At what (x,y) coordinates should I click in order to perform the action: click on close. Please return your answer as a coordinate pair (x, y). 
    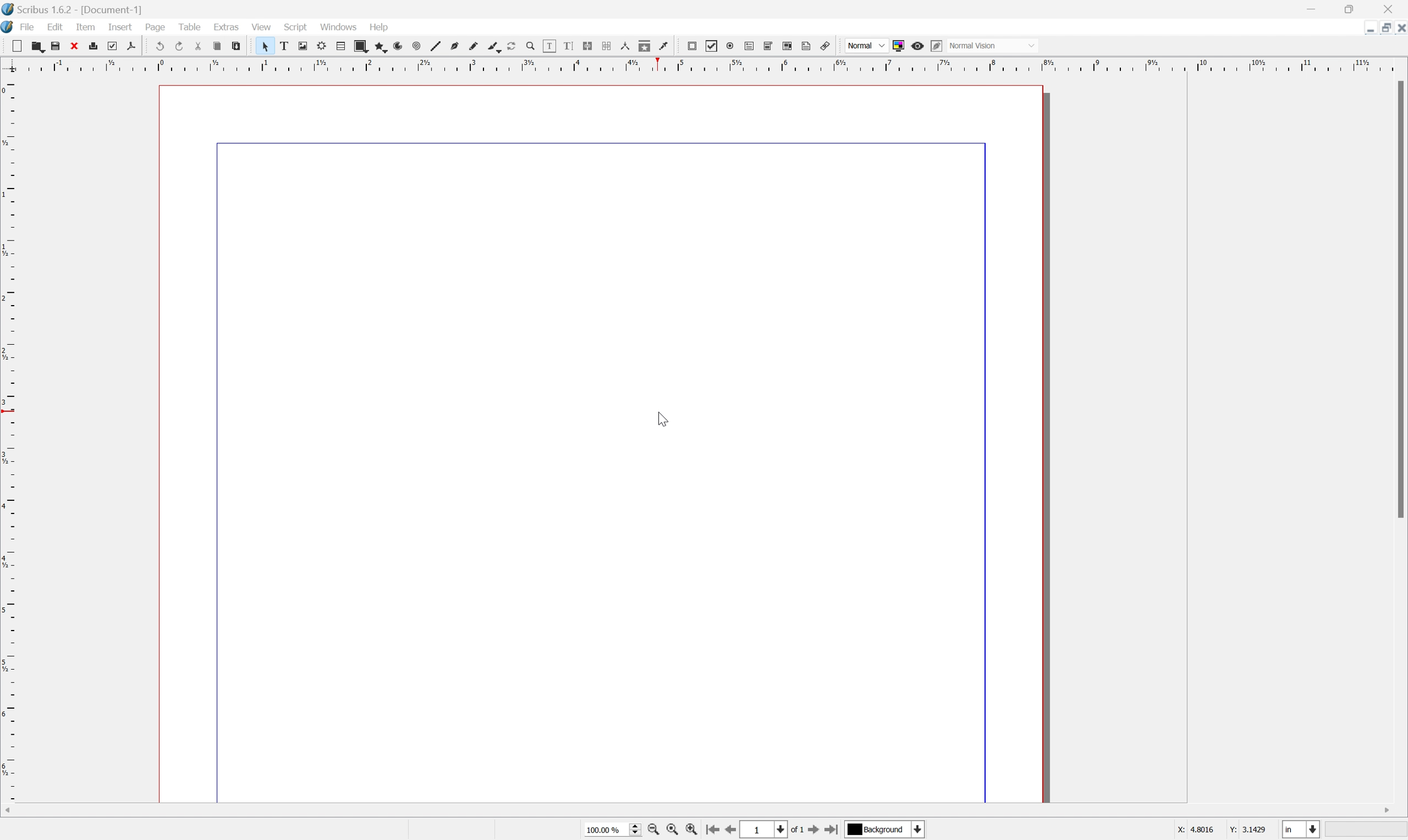
    Looking at the image, I should click on (1399, 28).